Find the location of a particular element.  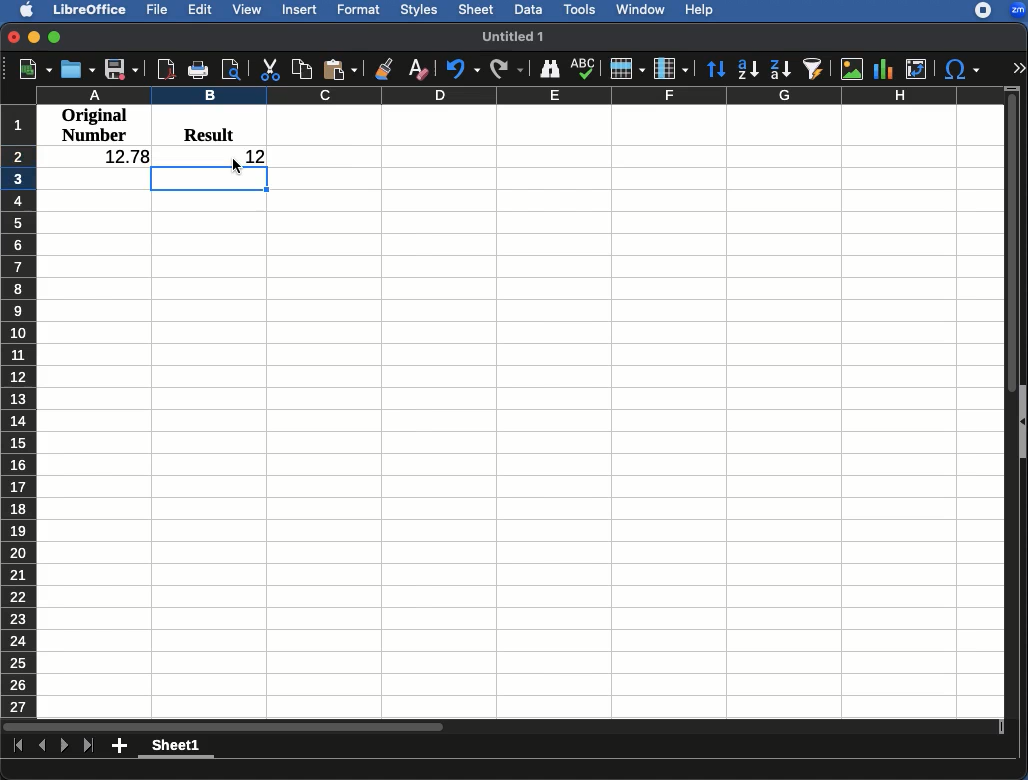

Sheet is located at coordinates (478, 11).